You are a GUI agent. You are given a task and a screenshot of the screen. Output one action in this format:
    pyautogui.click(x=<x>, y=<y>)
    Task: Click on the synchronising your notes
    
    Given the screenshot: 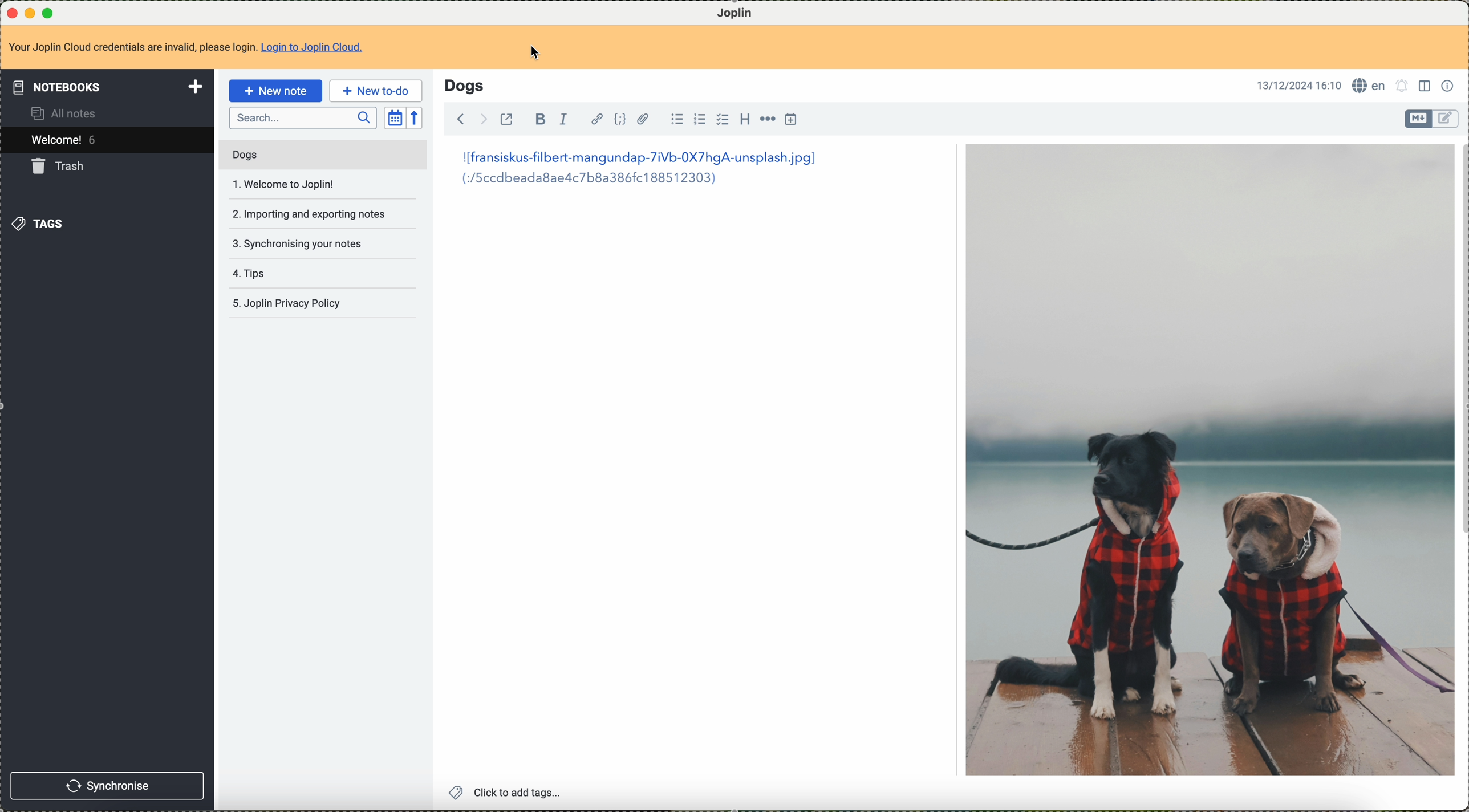 What is the action you would take?
    pyautogui.click(x=298, y=241)
    